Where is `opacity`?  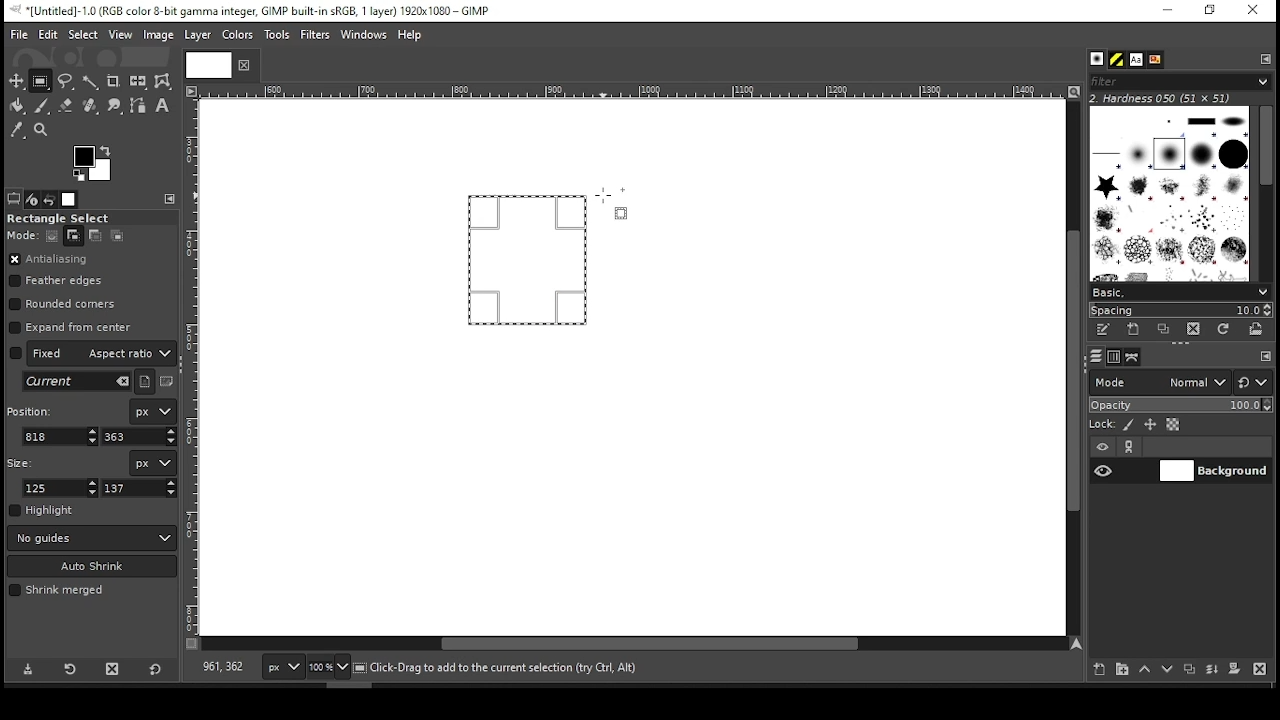
opacity is located at coordinates (1179, 407).